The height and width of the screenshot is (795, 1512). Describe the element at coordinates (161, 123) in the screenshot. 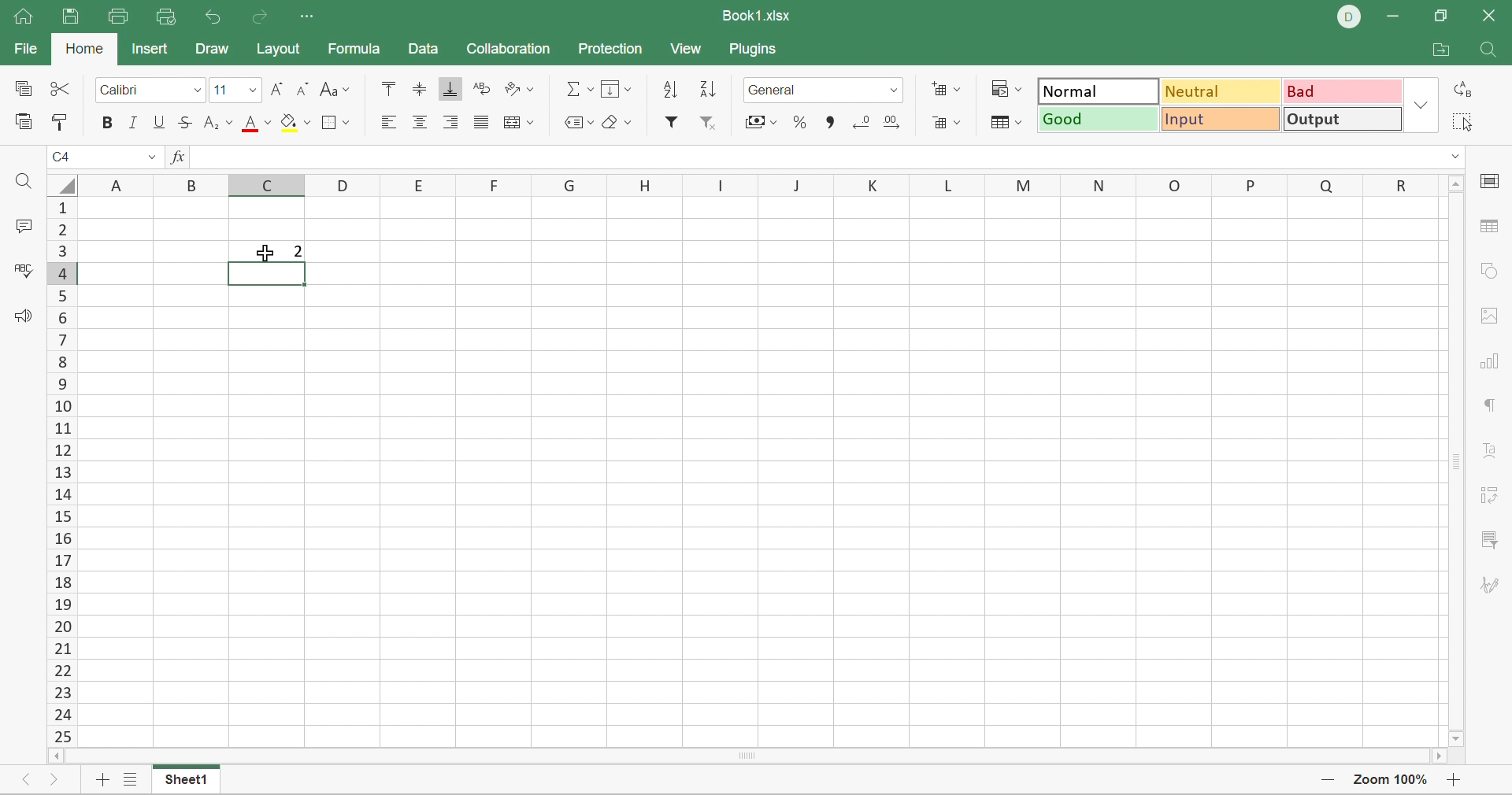

I see `Underline` at that location.